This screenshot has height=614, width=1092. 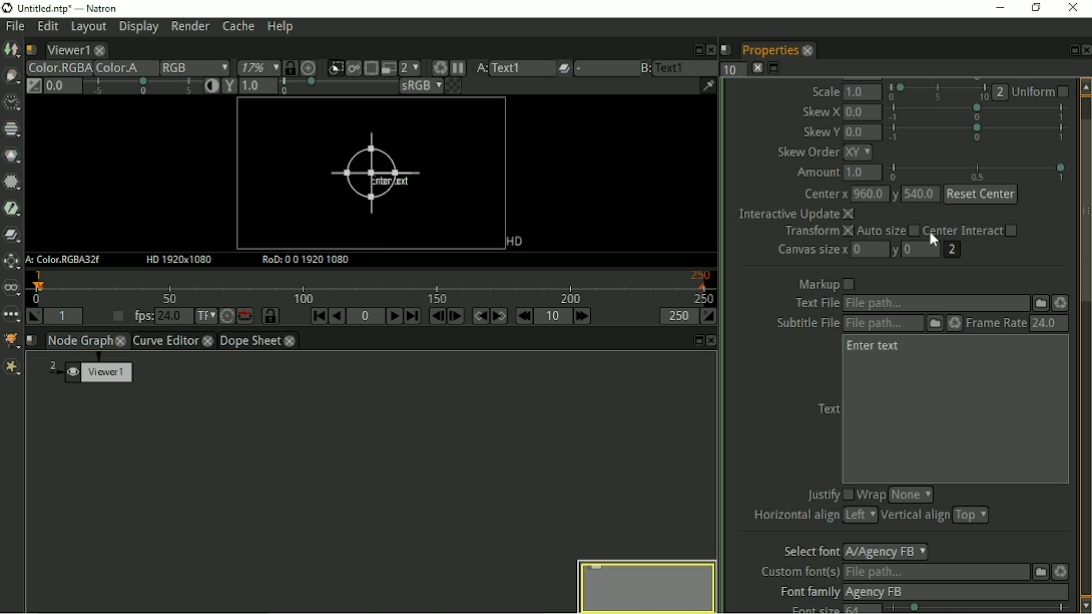 What do you see at coordinates (935, 304) in the screenshot?
I see `Text File` at bounding box center [935, 304].